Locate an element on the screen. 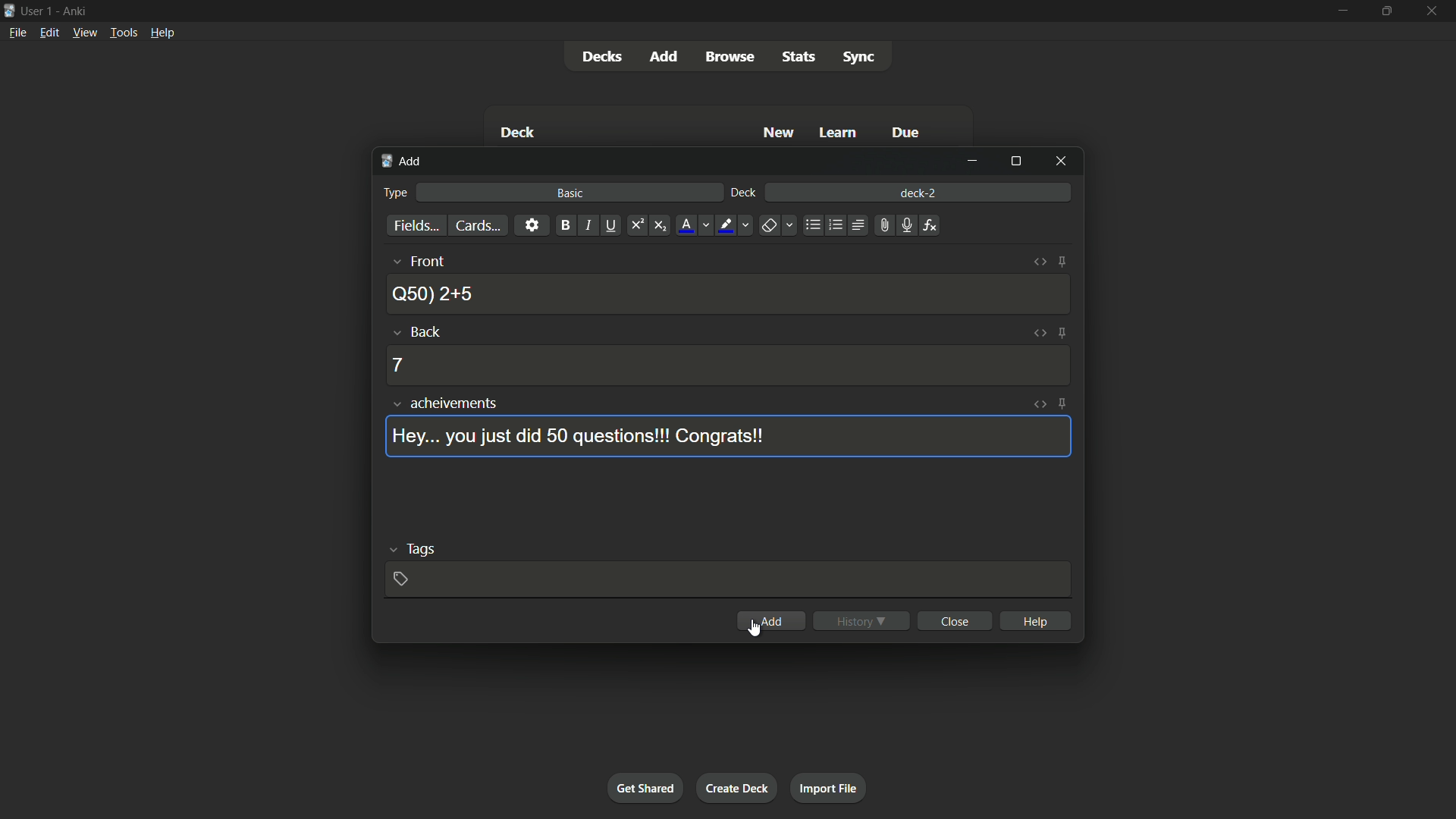 The image size is (1456, 819). deck is located at coordinates (743, 193).